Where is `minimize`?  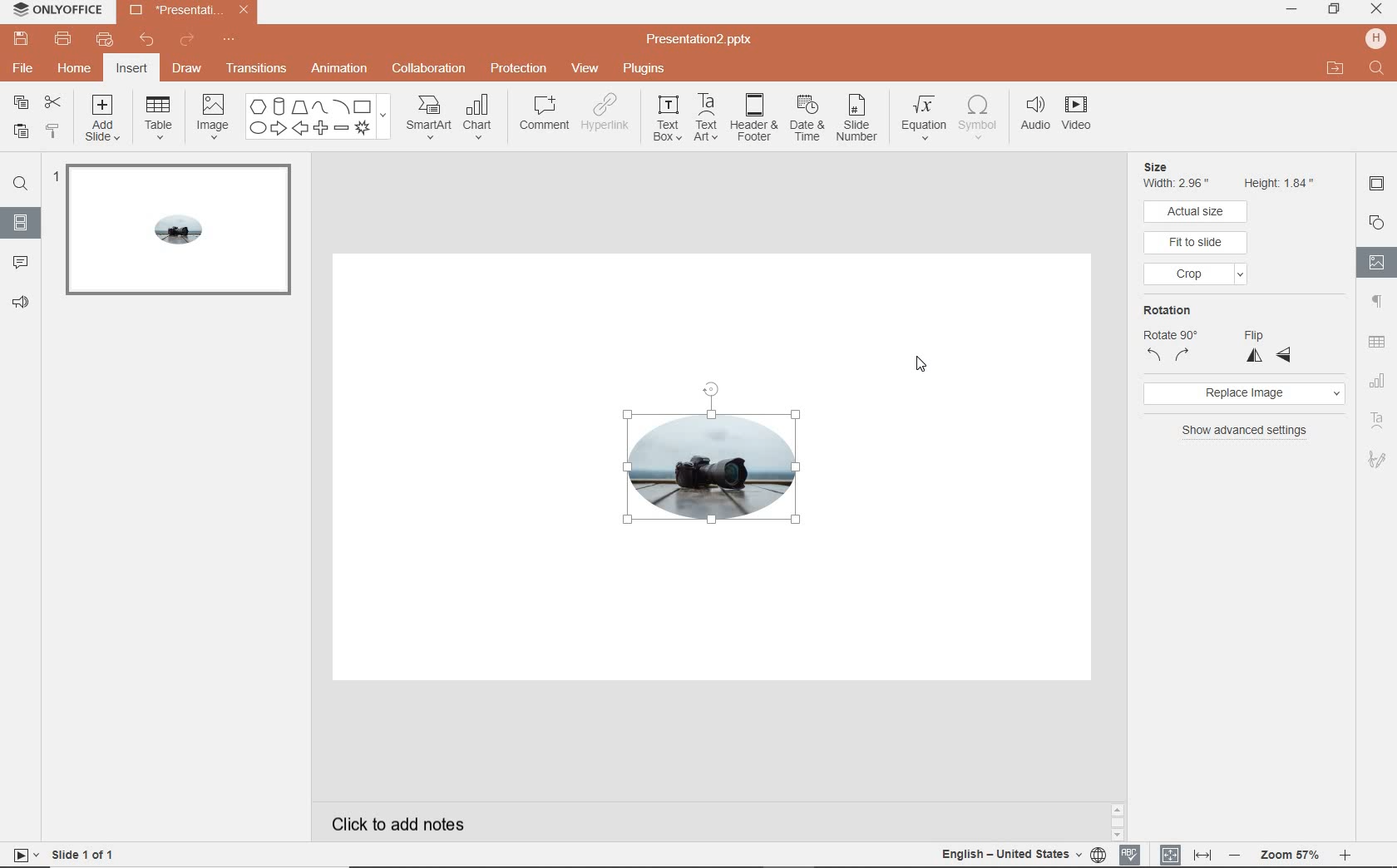
minimize is located at coordinates (1295, 11).